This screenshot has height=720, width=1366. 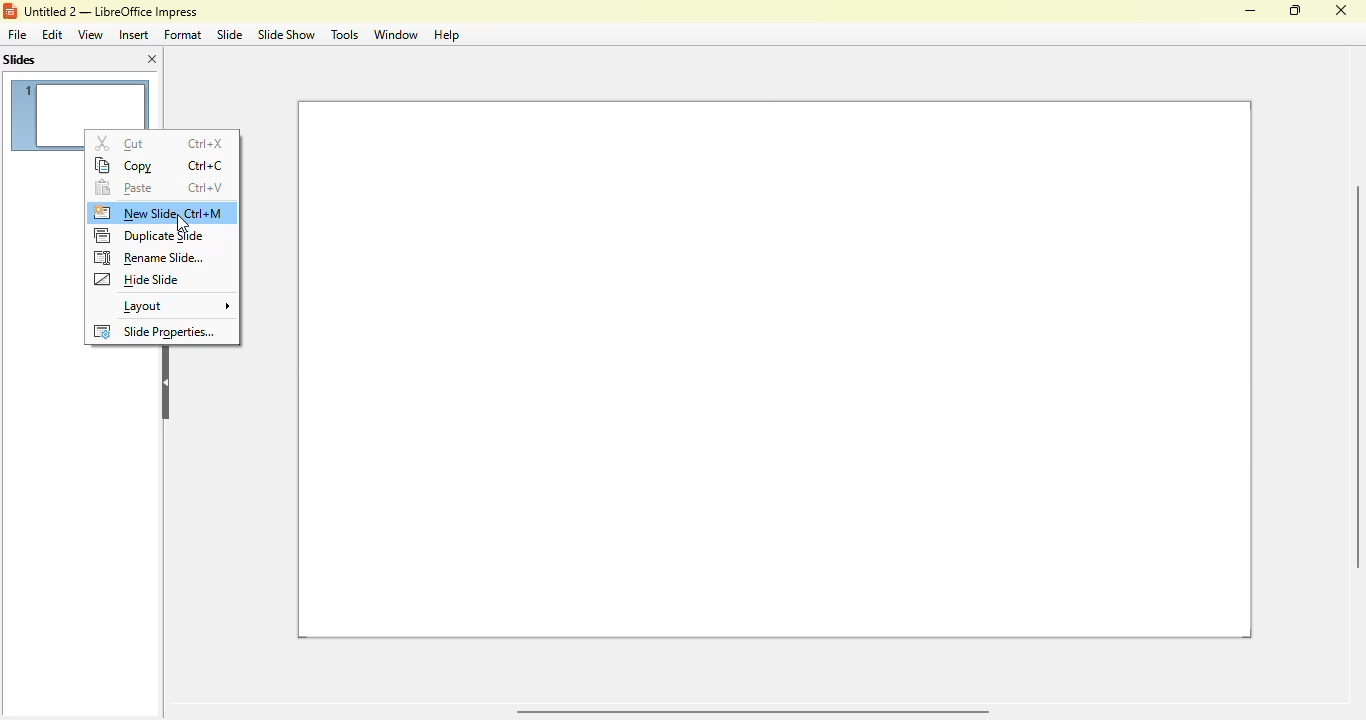 What do you see at coordinates (1296, 10) in the screenshot?
I see `maximize` at bounding box center [1296, 10].